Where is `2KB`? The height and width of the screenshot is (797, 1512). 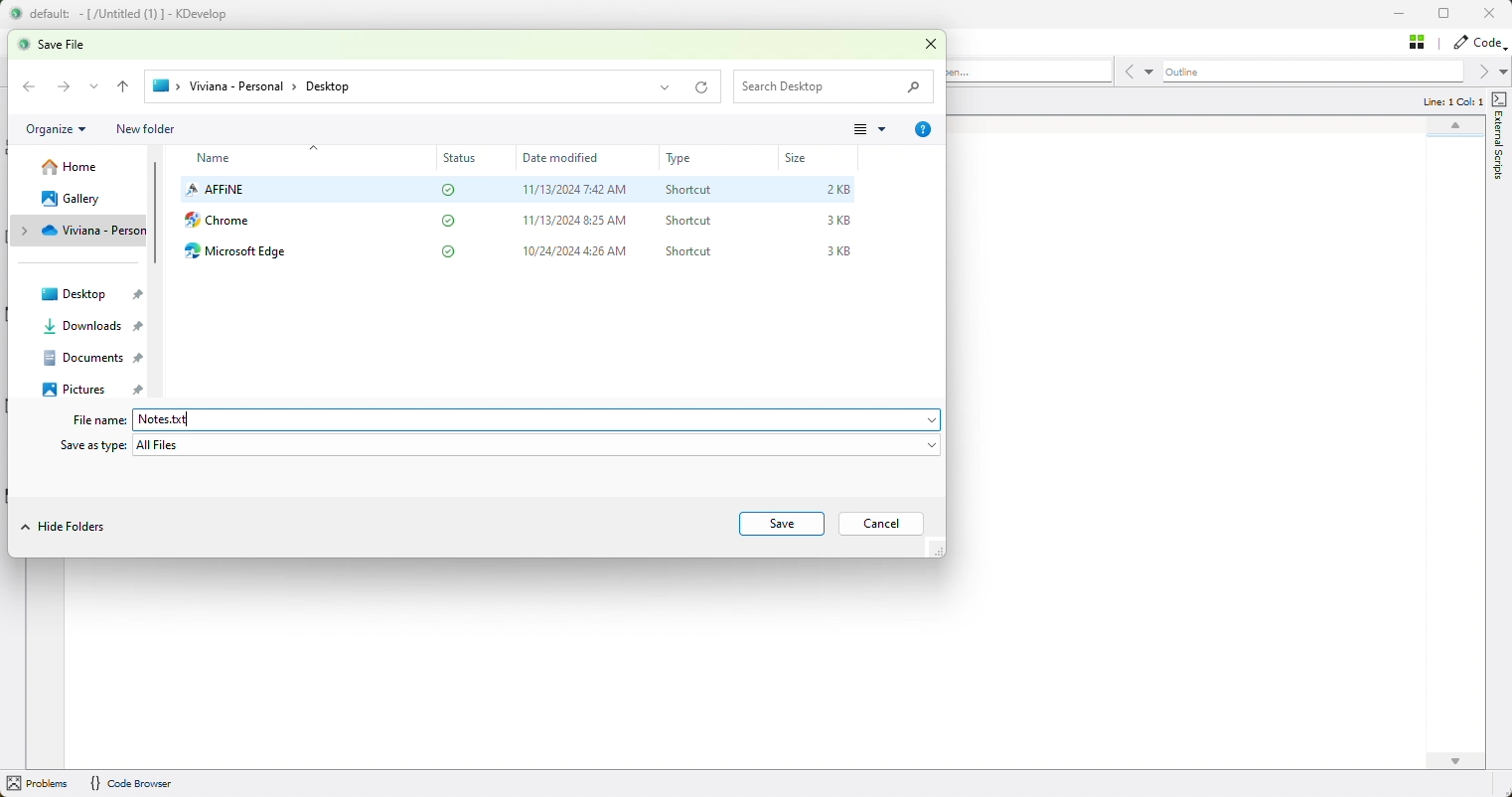
2KB is located at coordinates (840, 190).